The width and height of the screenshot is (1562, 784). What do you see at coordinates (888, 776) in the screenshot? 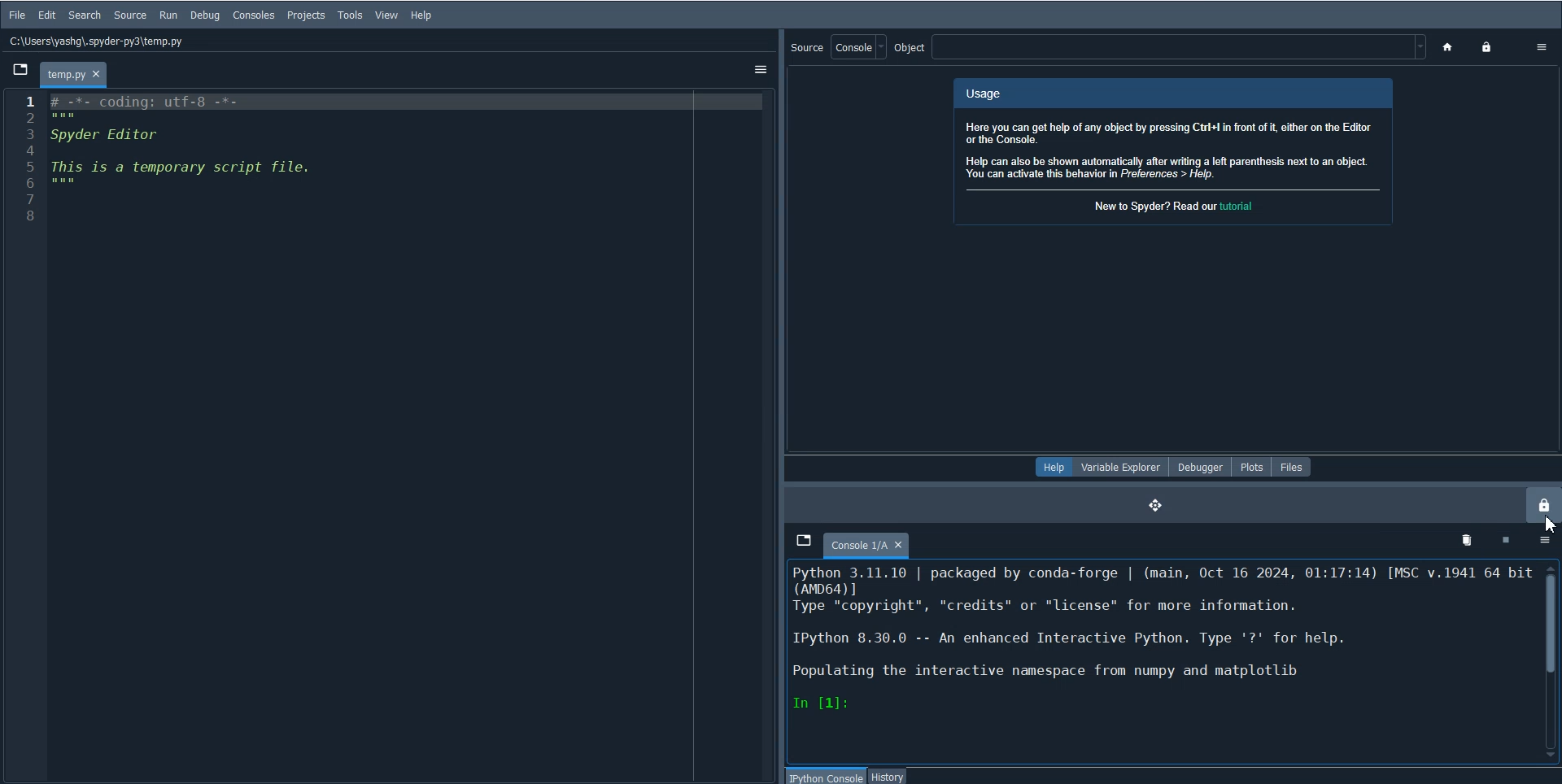
I see `History` at bounding box center [888, 776].